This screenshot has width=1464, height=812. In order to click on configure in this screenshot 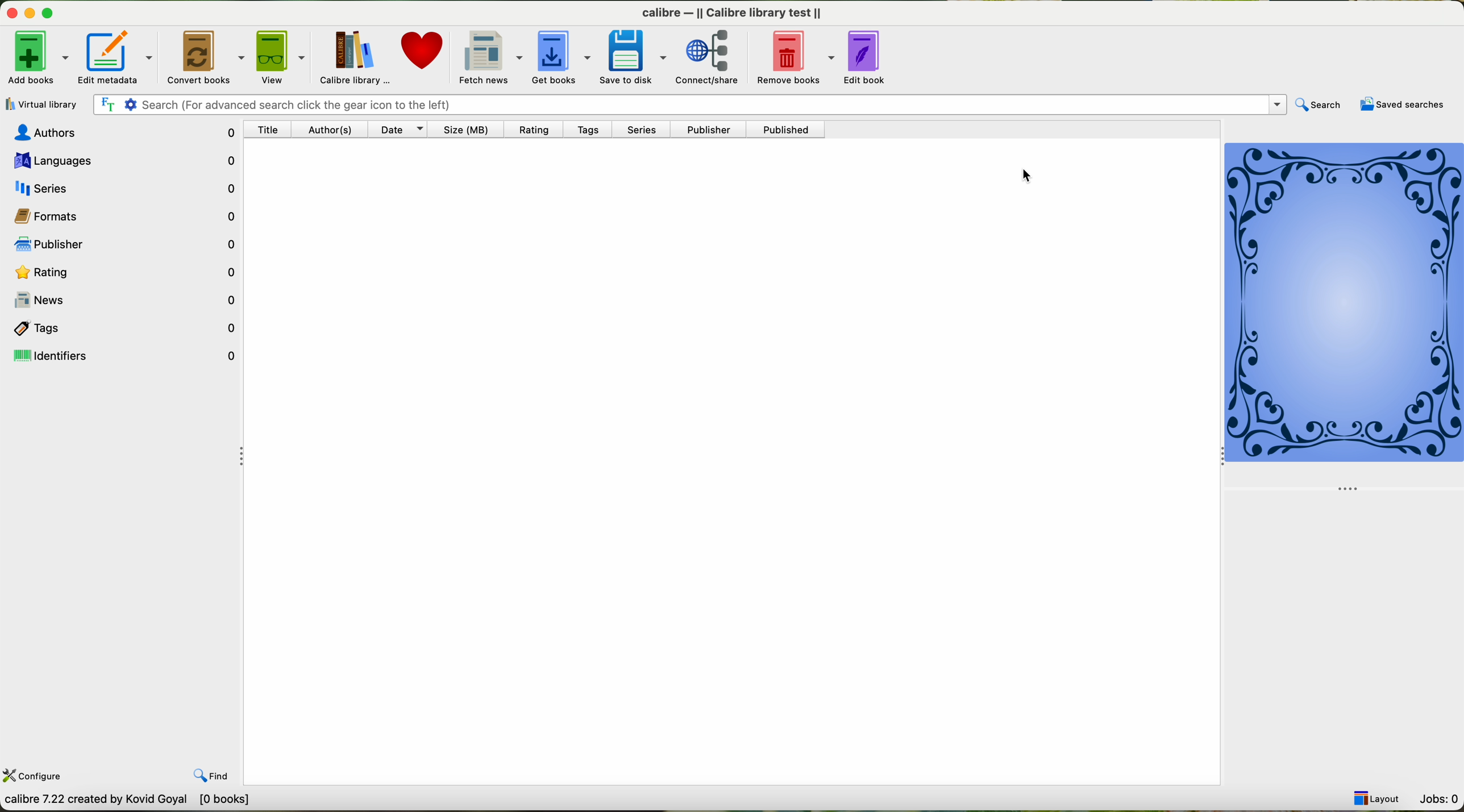, I will do `click(35, 774)`.